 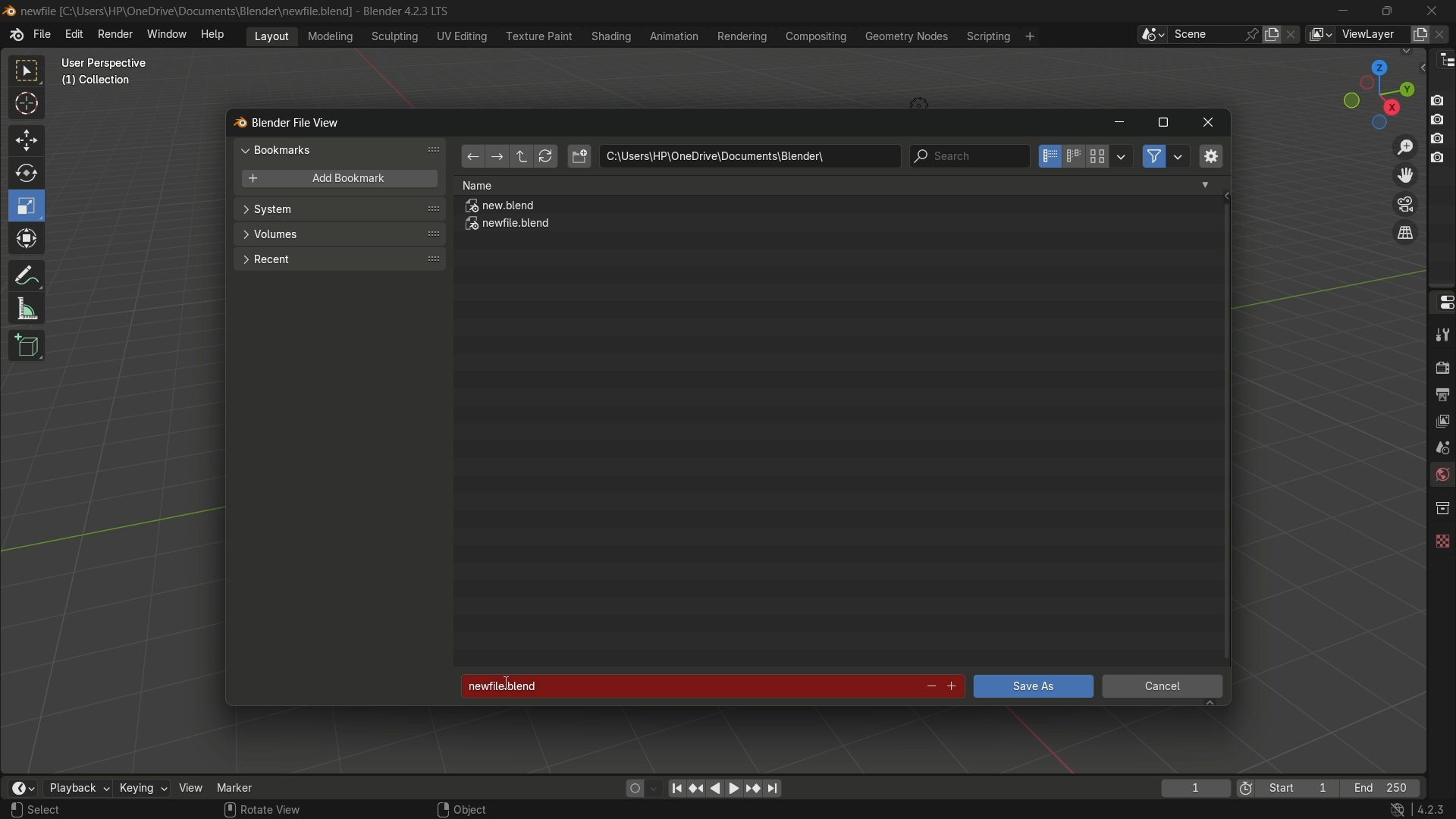 What do you see at coordinates (462, 36) in the screenshot?
I see `uv editing menu` at bounding box center [462, 36].